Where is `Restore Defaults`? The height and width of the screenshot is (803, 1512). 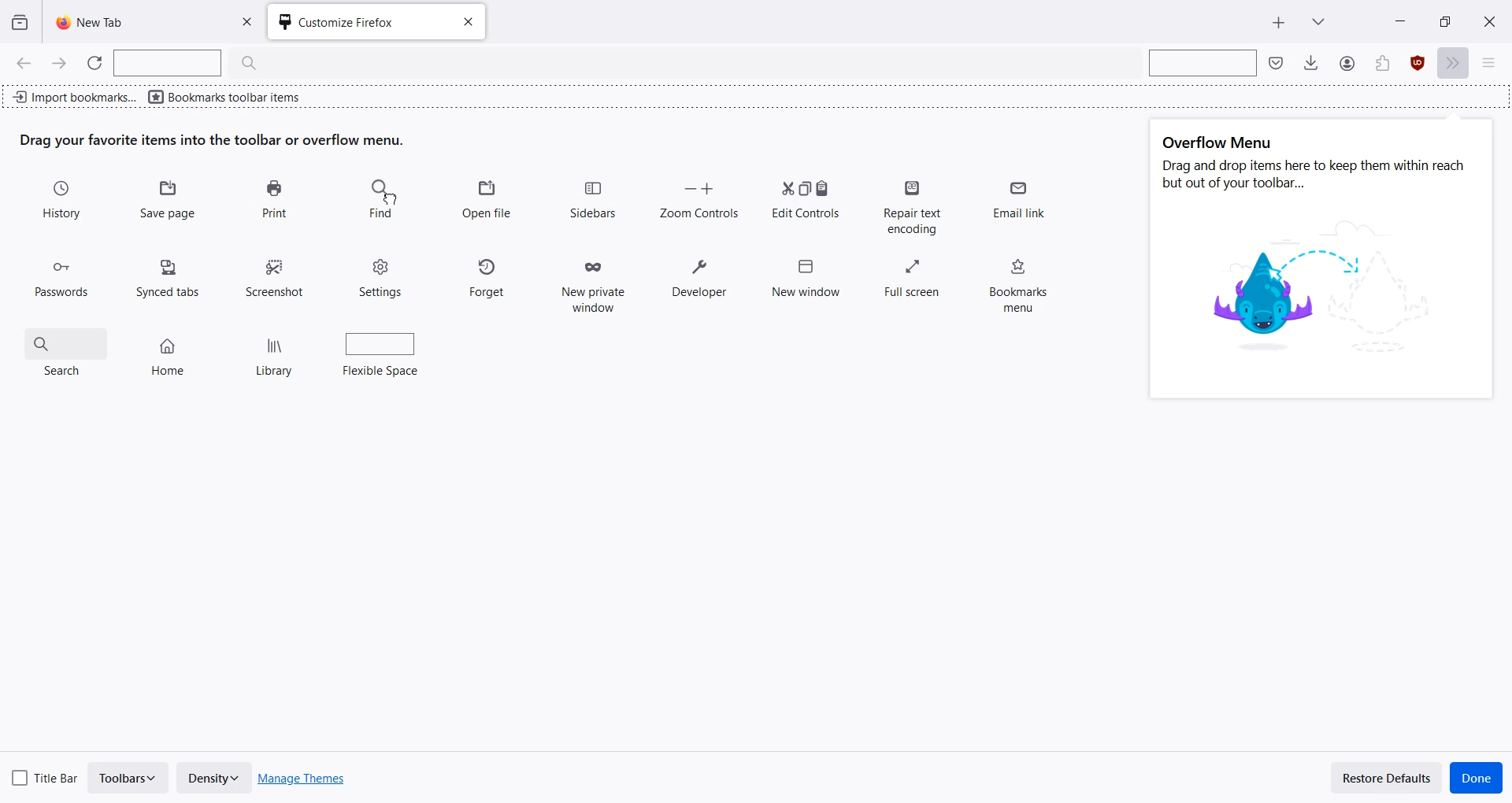 Restore Defaults is located at coordinates (1387, 777).